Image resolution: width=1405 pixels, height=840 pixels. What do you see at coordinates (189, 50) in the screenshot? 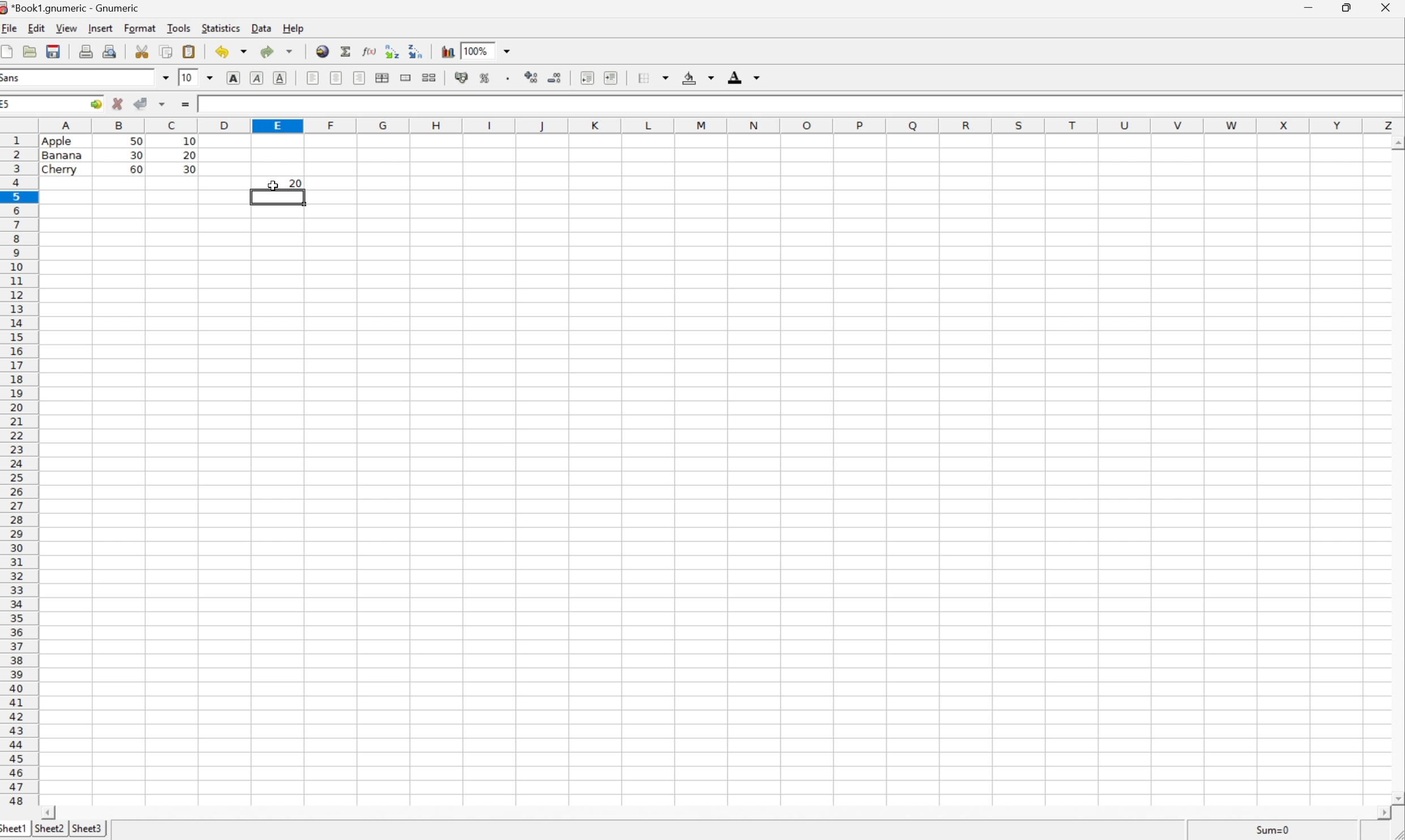
I see `paste` at bounding box center [189, 50].